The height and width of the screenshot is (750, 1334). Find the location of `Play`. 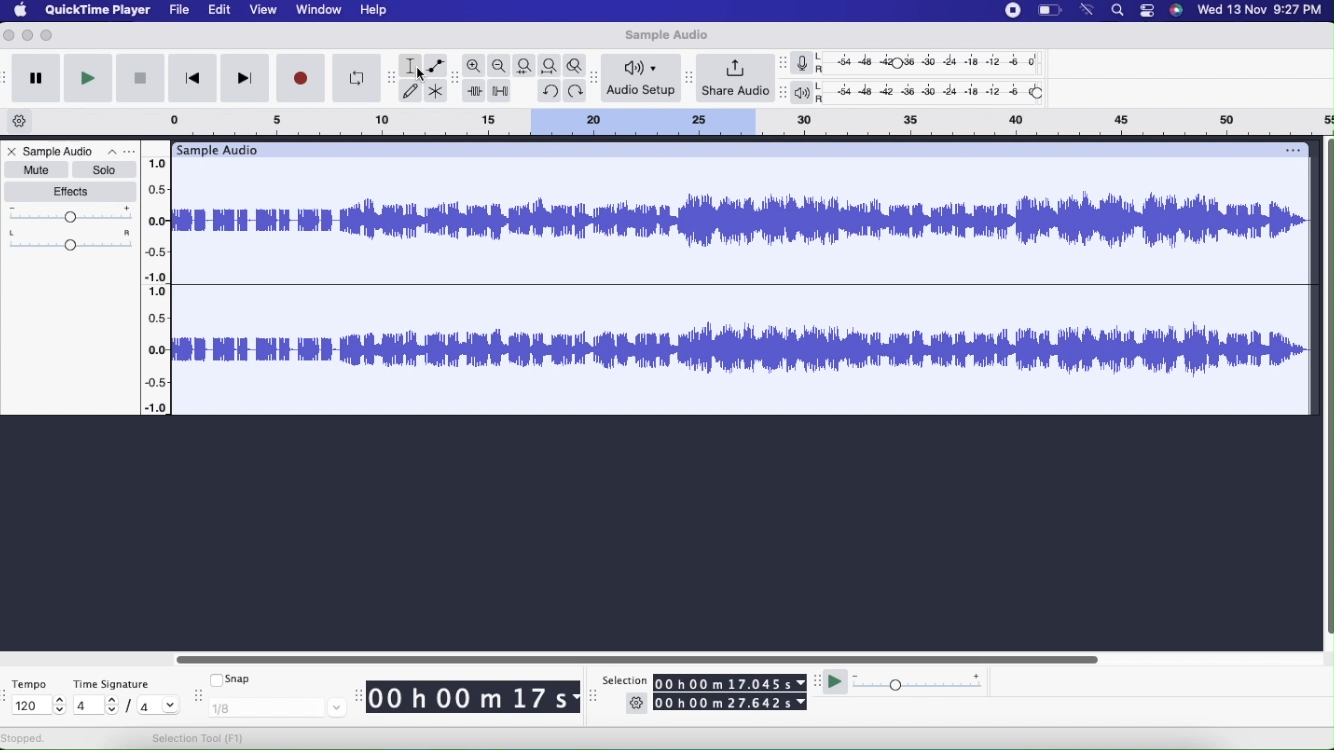

Play is located at coordinates (87, 78).